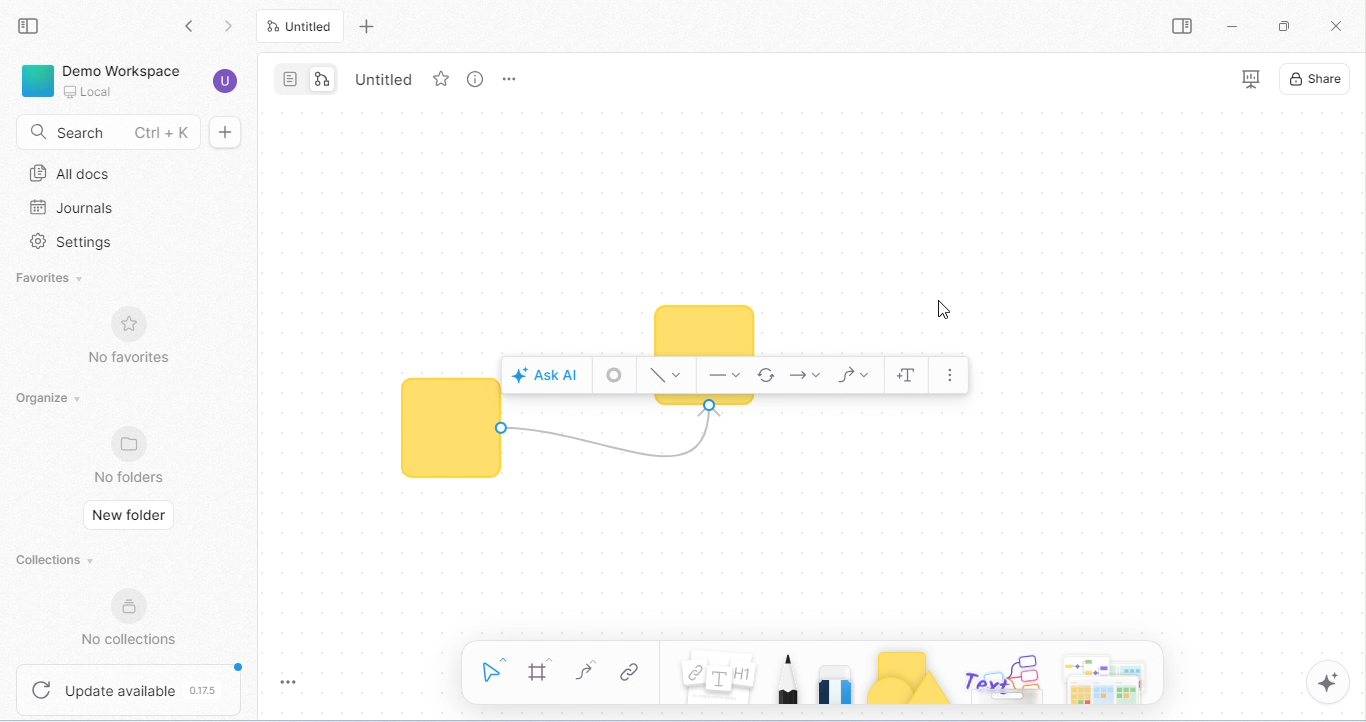 The image size is (1366, 722). I want to click on frame, so click(543, 671).